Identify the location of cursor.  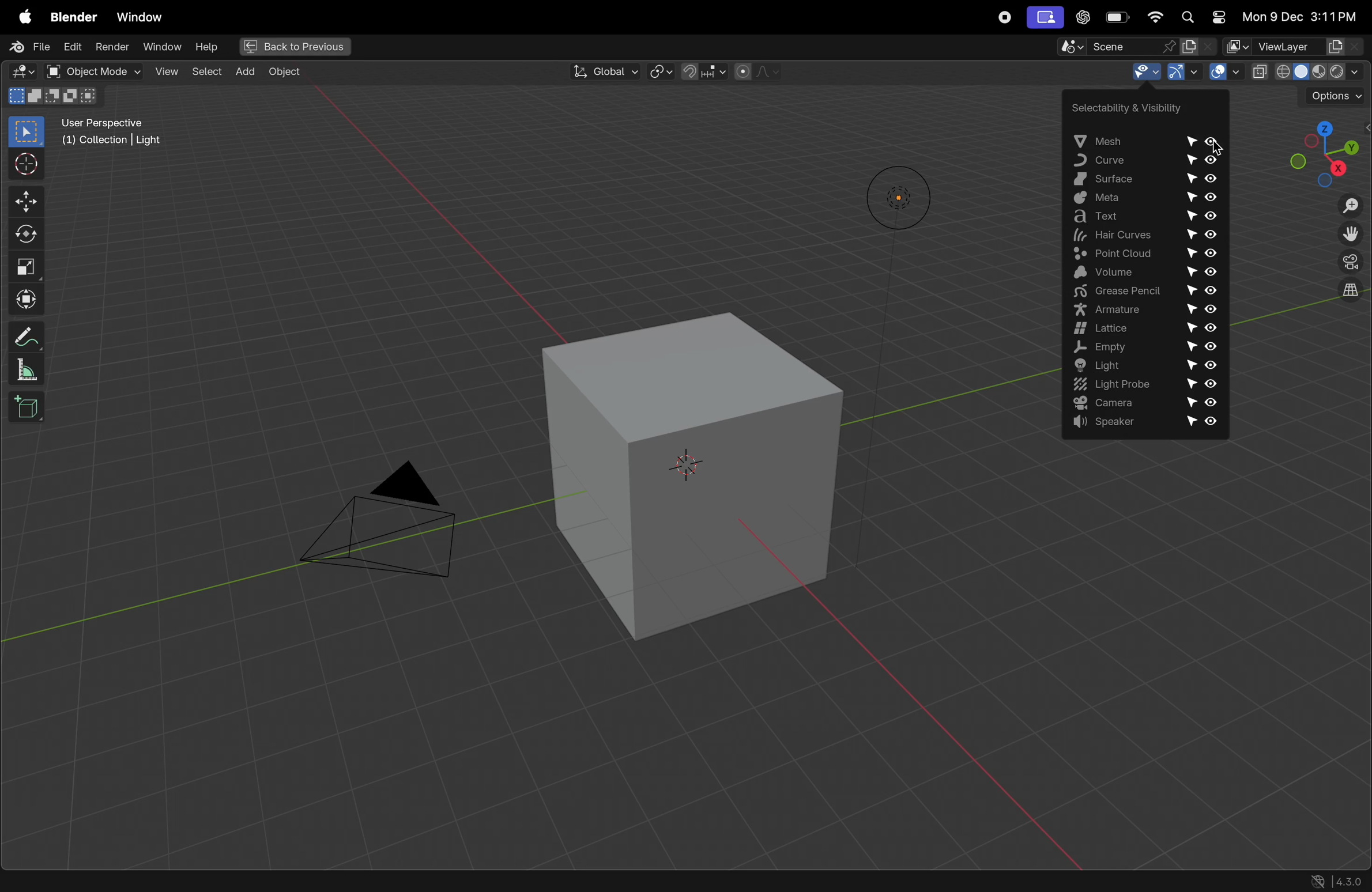
(27, 164).